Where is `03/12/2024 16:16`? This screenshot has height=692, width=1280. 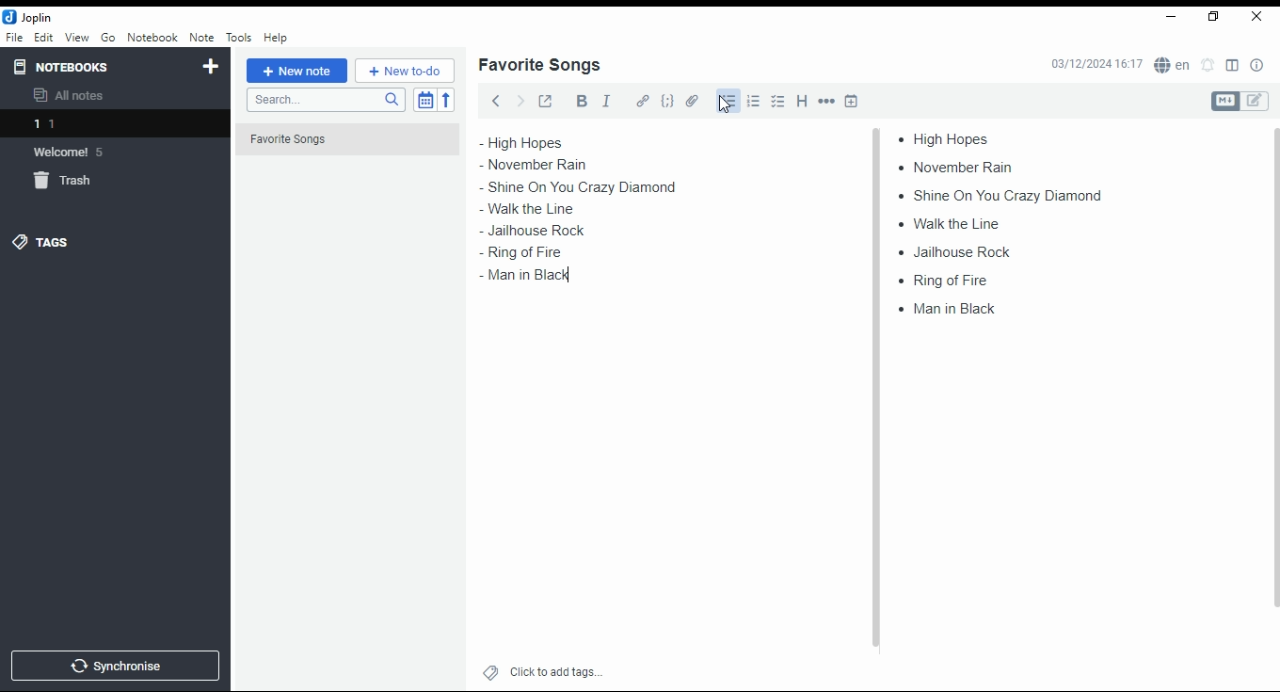
03/12/2024 16:16 is located at coordinates (1096, 64).